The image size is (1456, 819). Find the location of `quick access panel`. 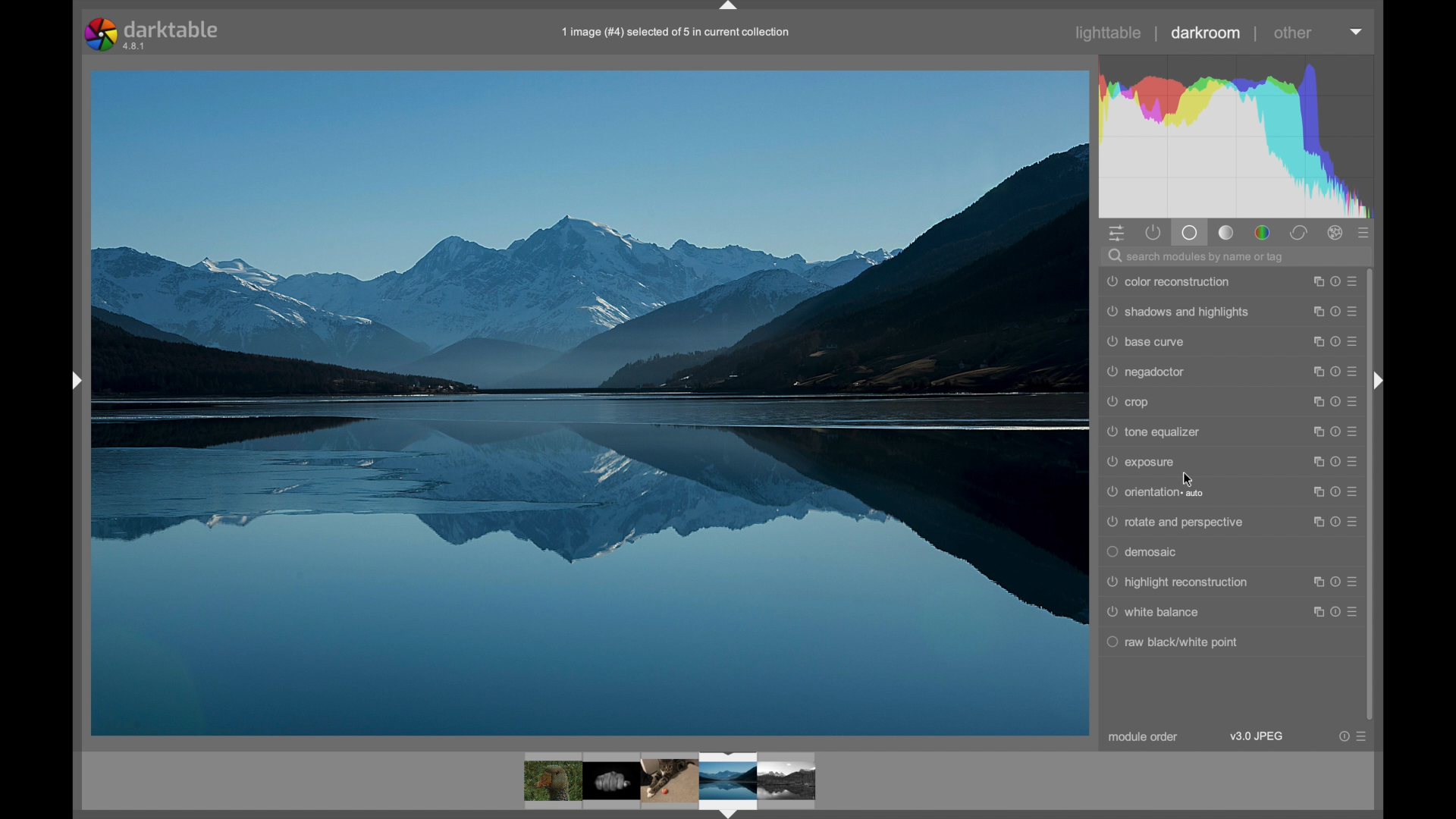

quick access panel is located at coordinates (1115, 233).